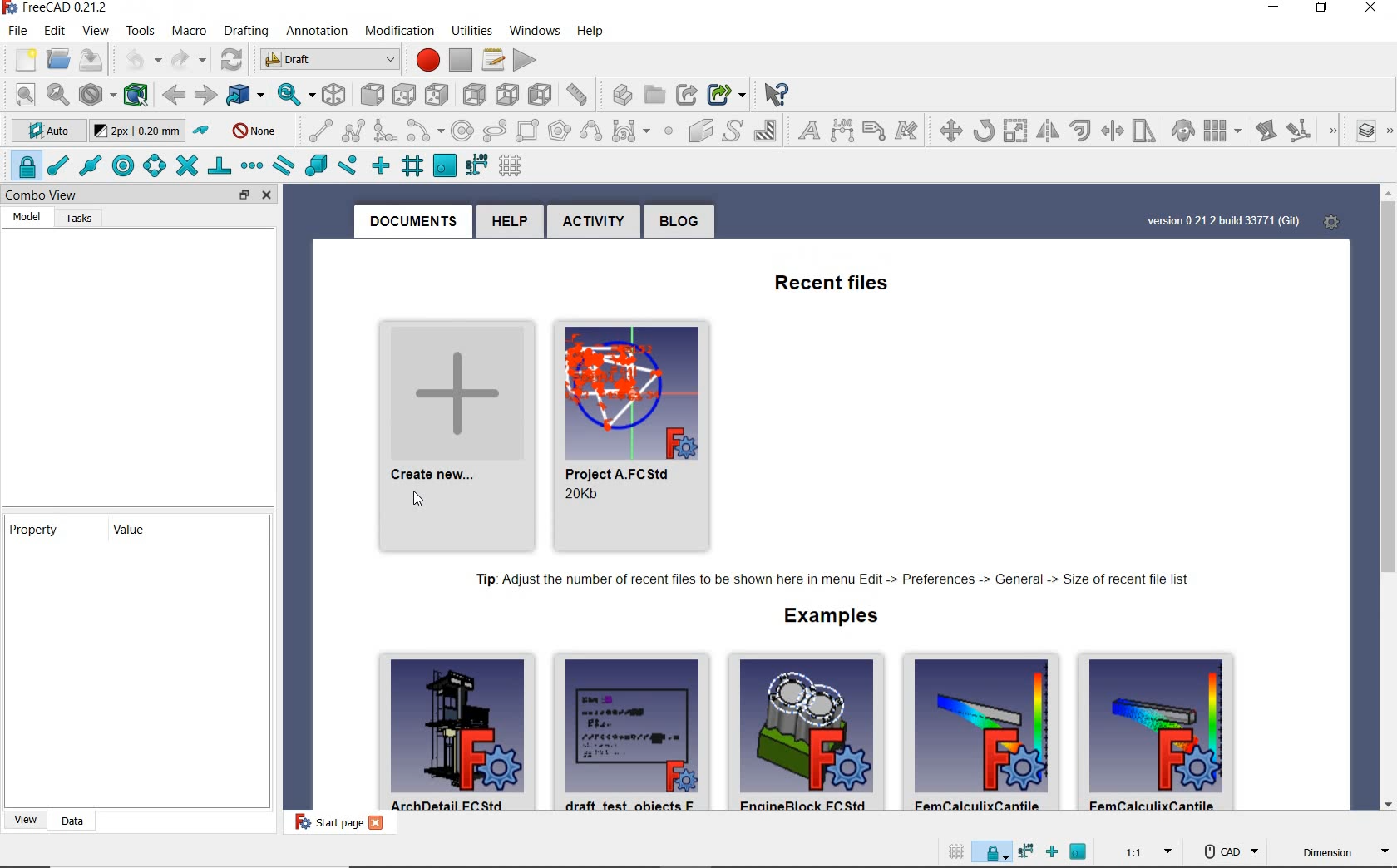 This screenshot has width=1397, height=868. What do you see at coordinates (731, 131) in the screenshot?
I see `shape from text` at bounding box center [731, 131].